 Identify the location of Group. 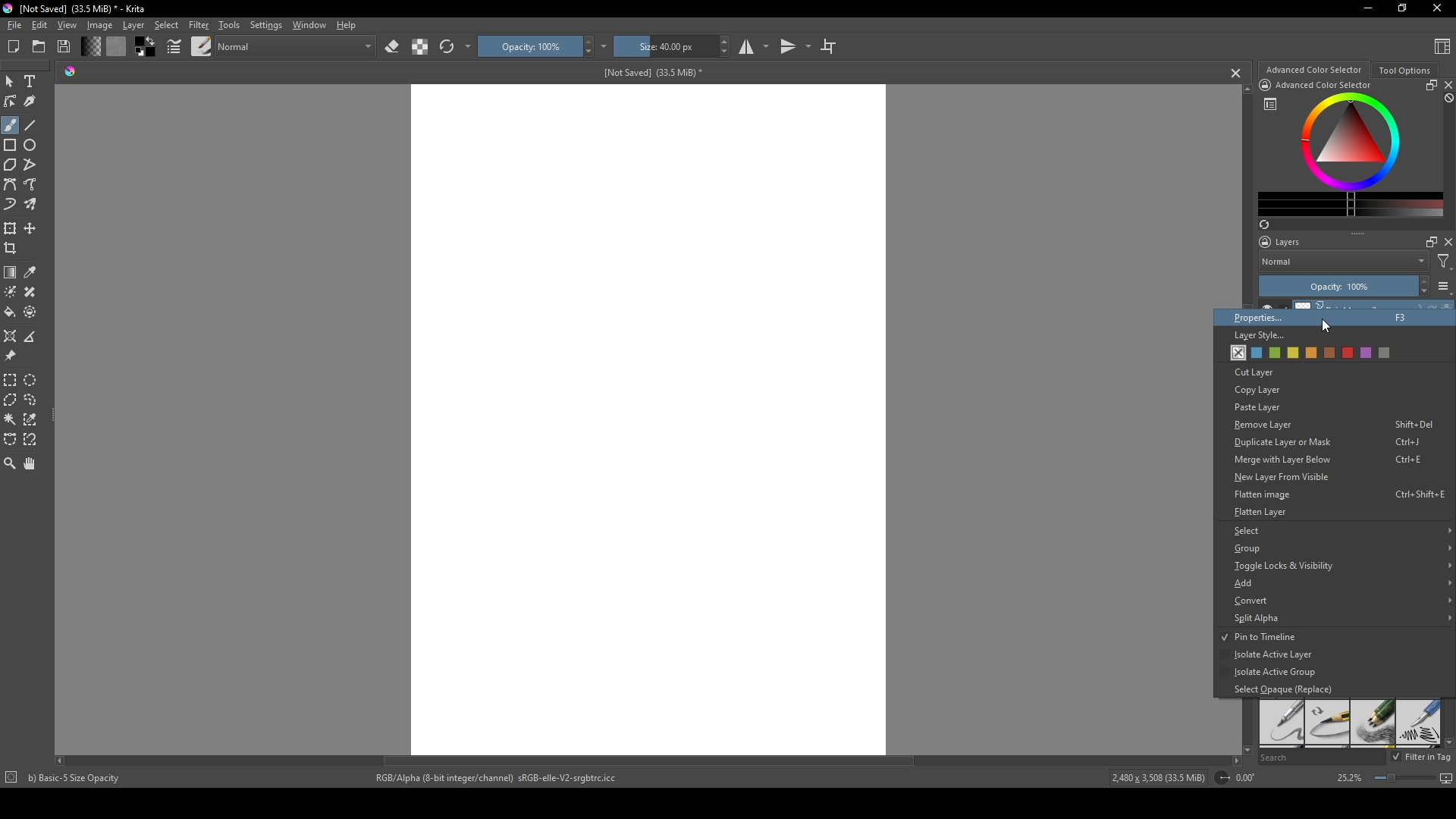
(1338, 548).